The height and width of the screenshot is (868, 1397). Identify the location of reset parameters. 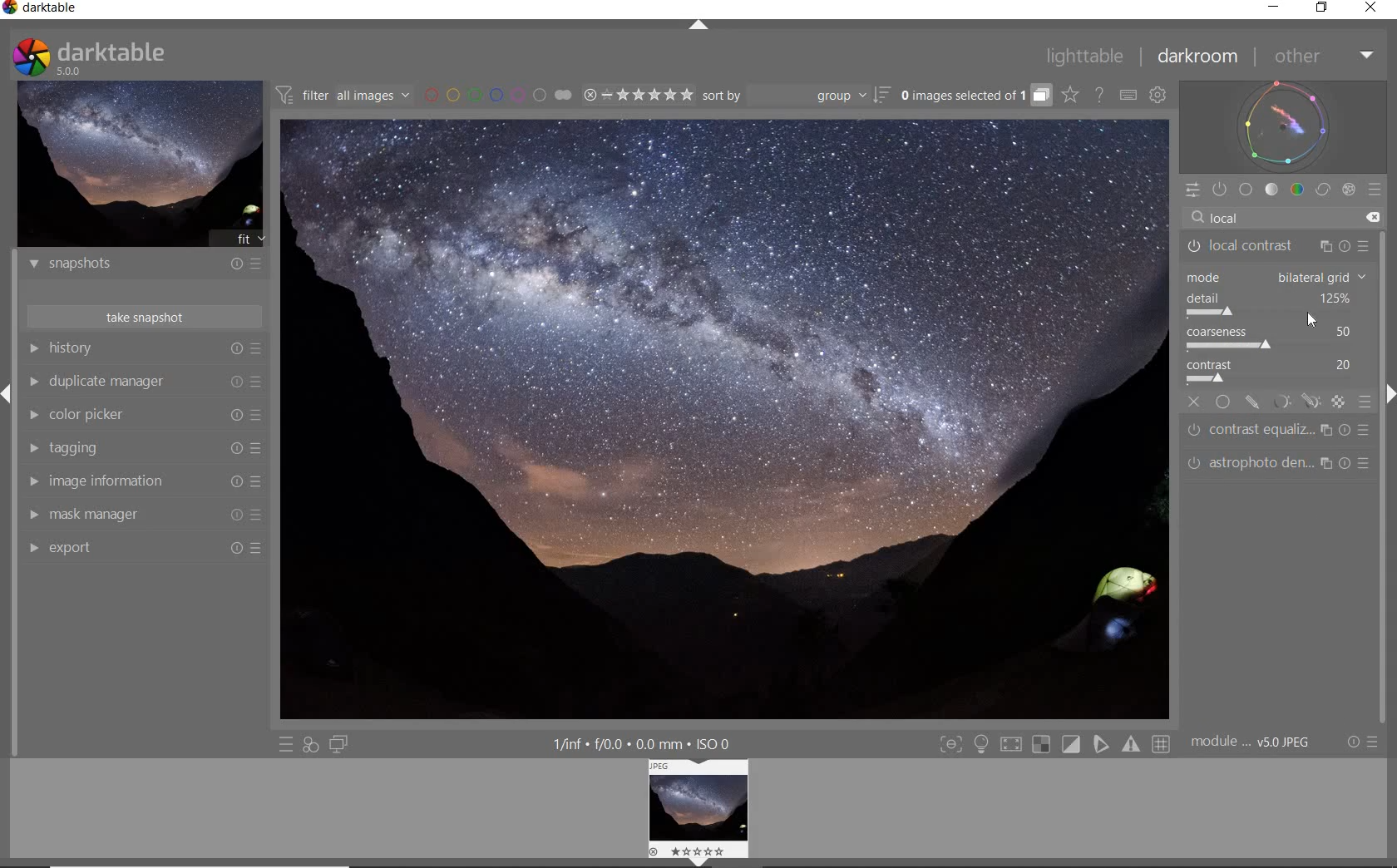
(1349, 241).